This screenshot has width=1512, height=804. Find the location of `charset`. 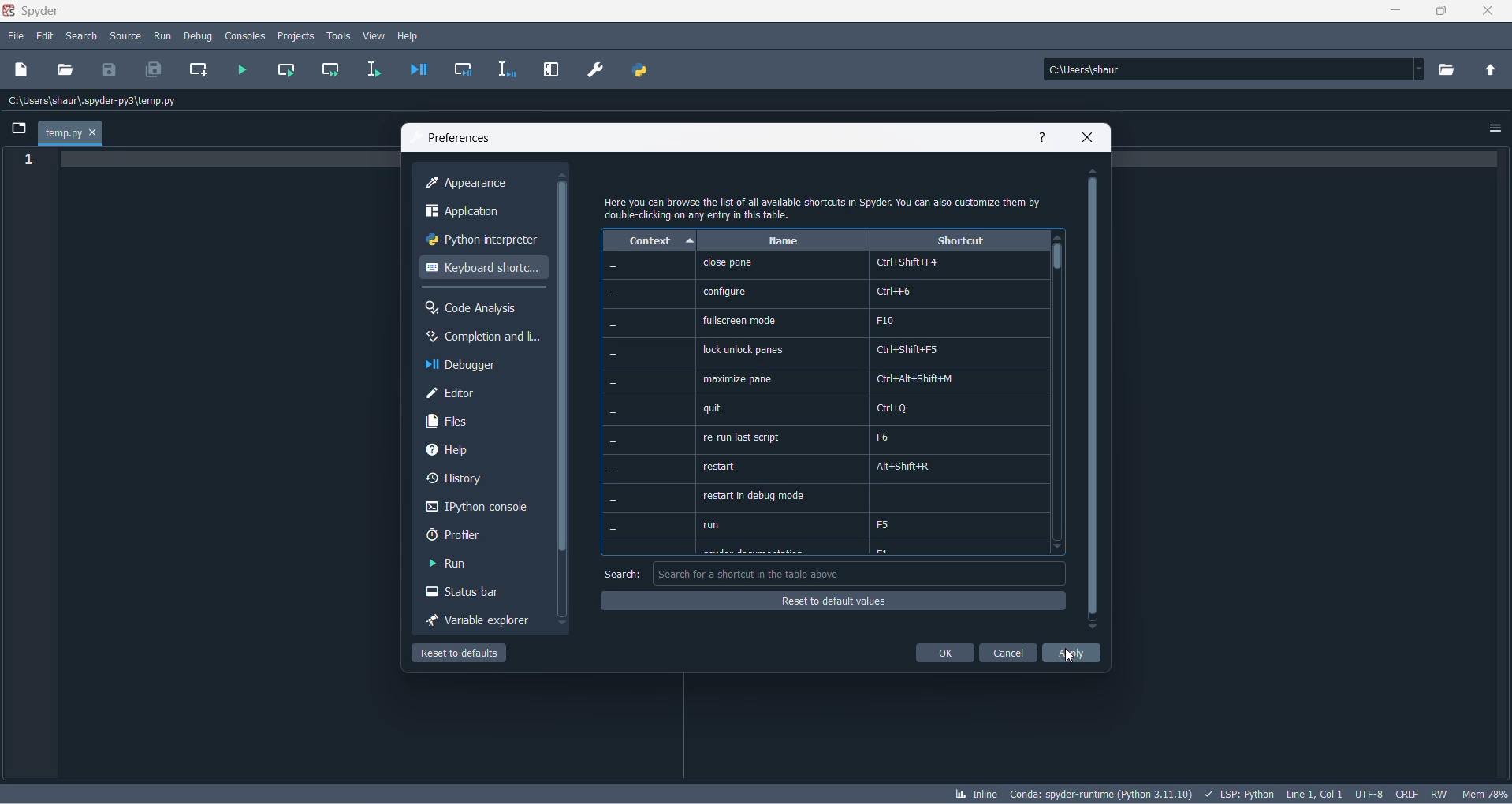

charset is located at coordinates (1369, 792).